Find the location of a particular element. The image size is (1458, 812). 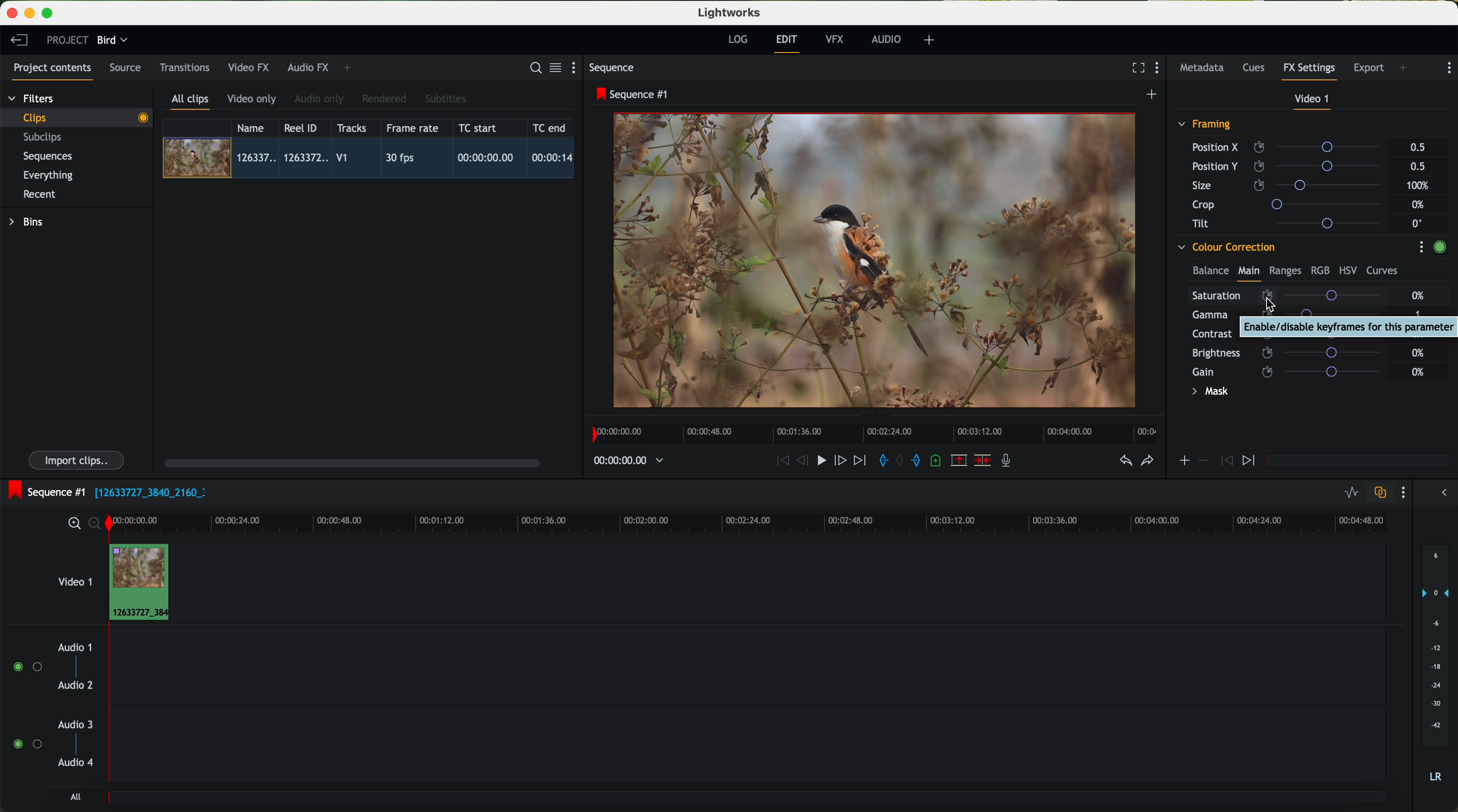

delete/cut is located at coordinates (983, 461).